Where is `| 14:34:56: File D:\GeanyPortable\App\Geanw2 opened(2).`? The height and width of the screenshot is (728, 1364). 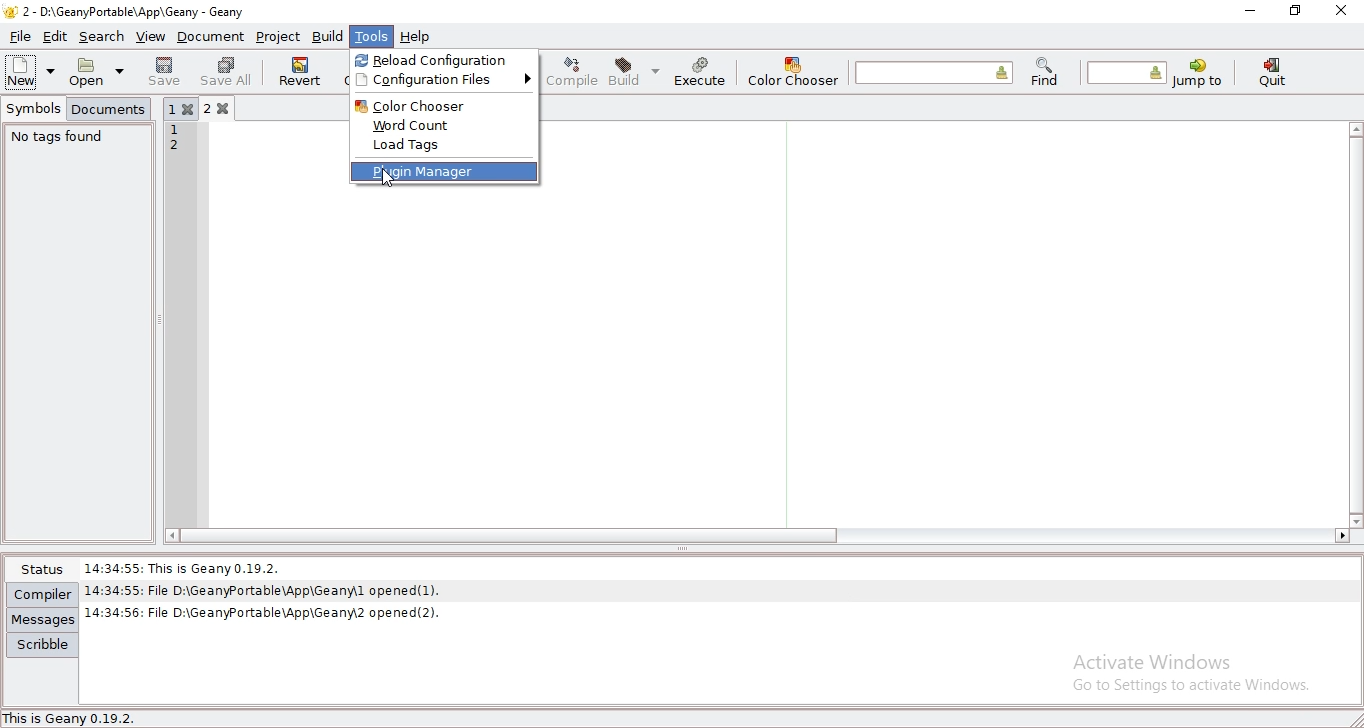 | 14:34:56: File D:\GeanyPortable\App\Geanw2 opened(2). is located at coordinates (265, 611).